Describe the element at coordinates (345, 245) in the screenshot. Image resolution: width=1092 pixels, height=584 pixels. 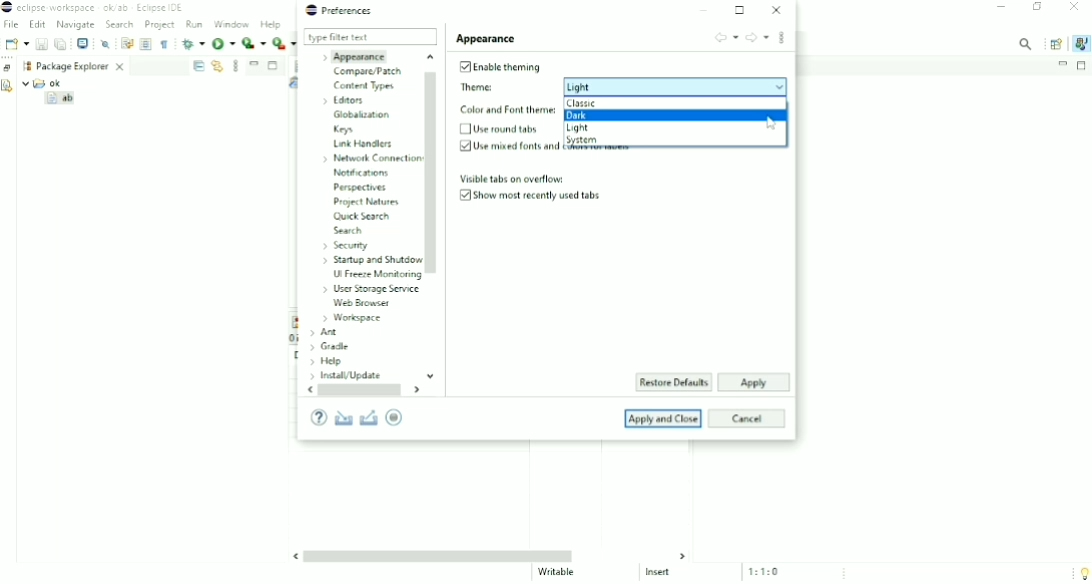
I see `Security` at that location.